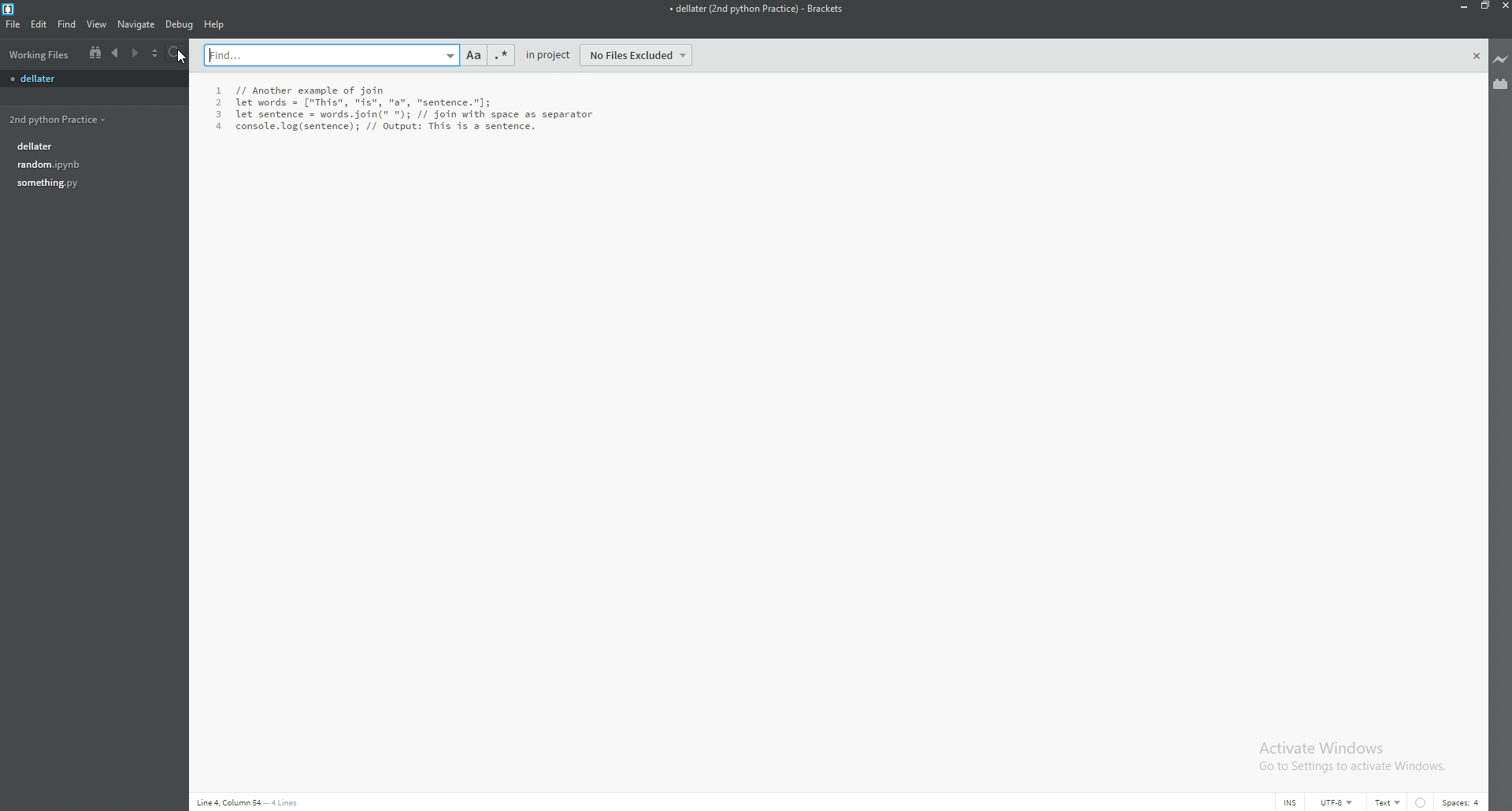 Image resolution: width=1512 pixels, height=811 pixels. I want to click on dellater, so click(95, 147).